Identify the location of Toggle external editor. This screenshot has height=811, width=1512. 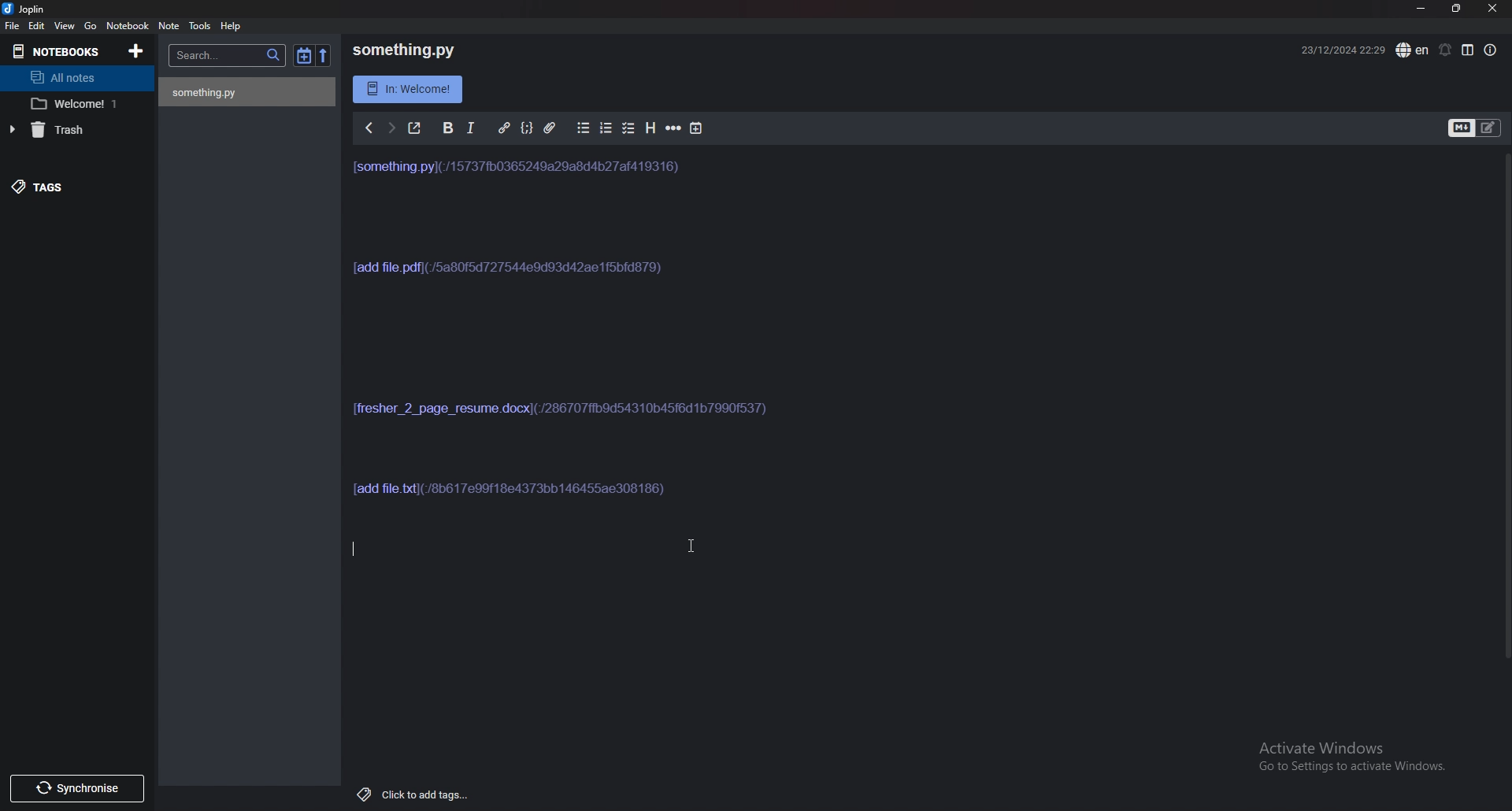
(416, 128).